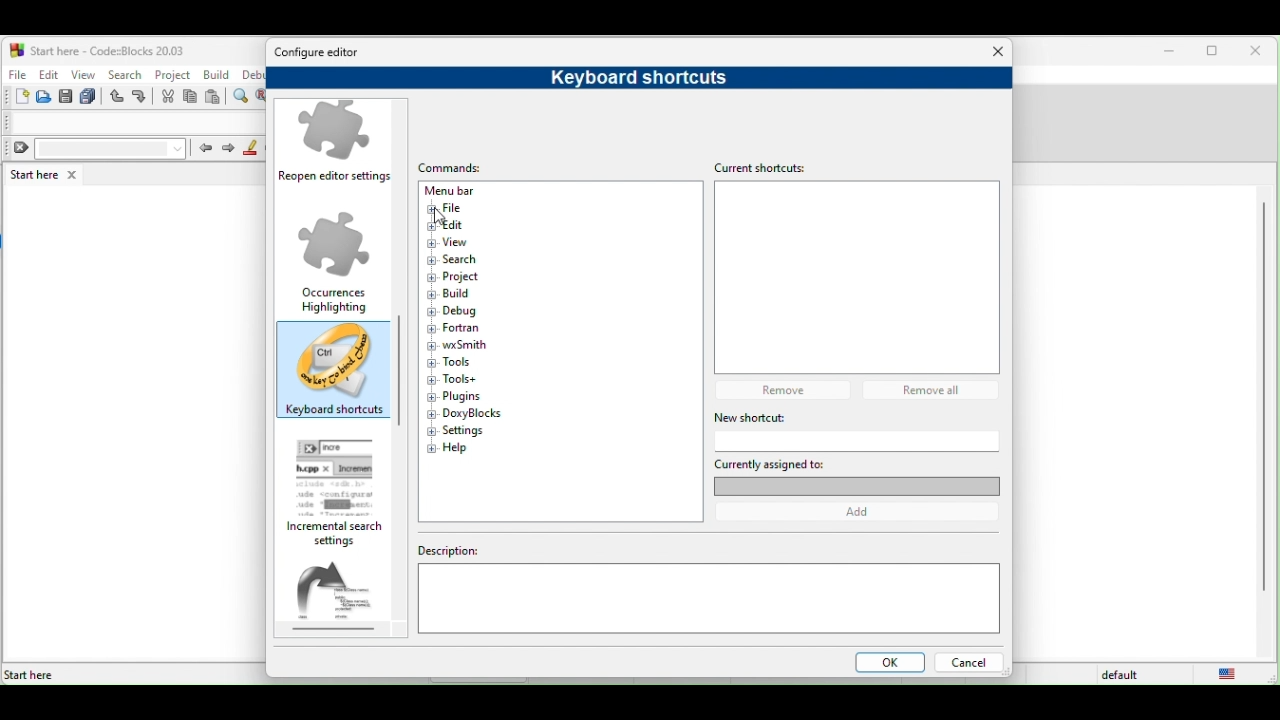 This screenshot has height=720, width=1280. I want to click on occurrences highlighting, so click(335, 261).